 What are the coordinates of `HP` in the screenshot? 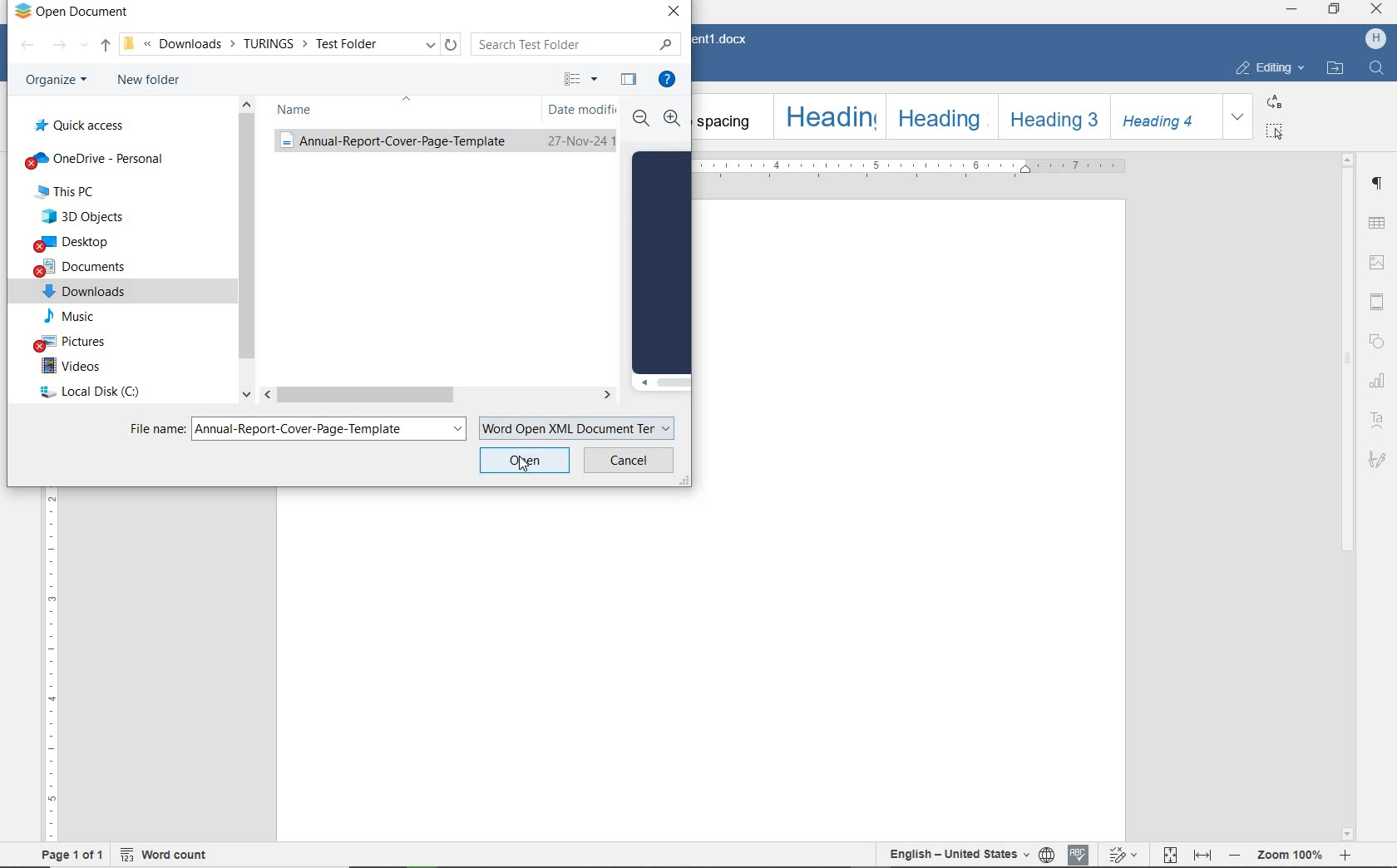 It's located at (1373, 40).